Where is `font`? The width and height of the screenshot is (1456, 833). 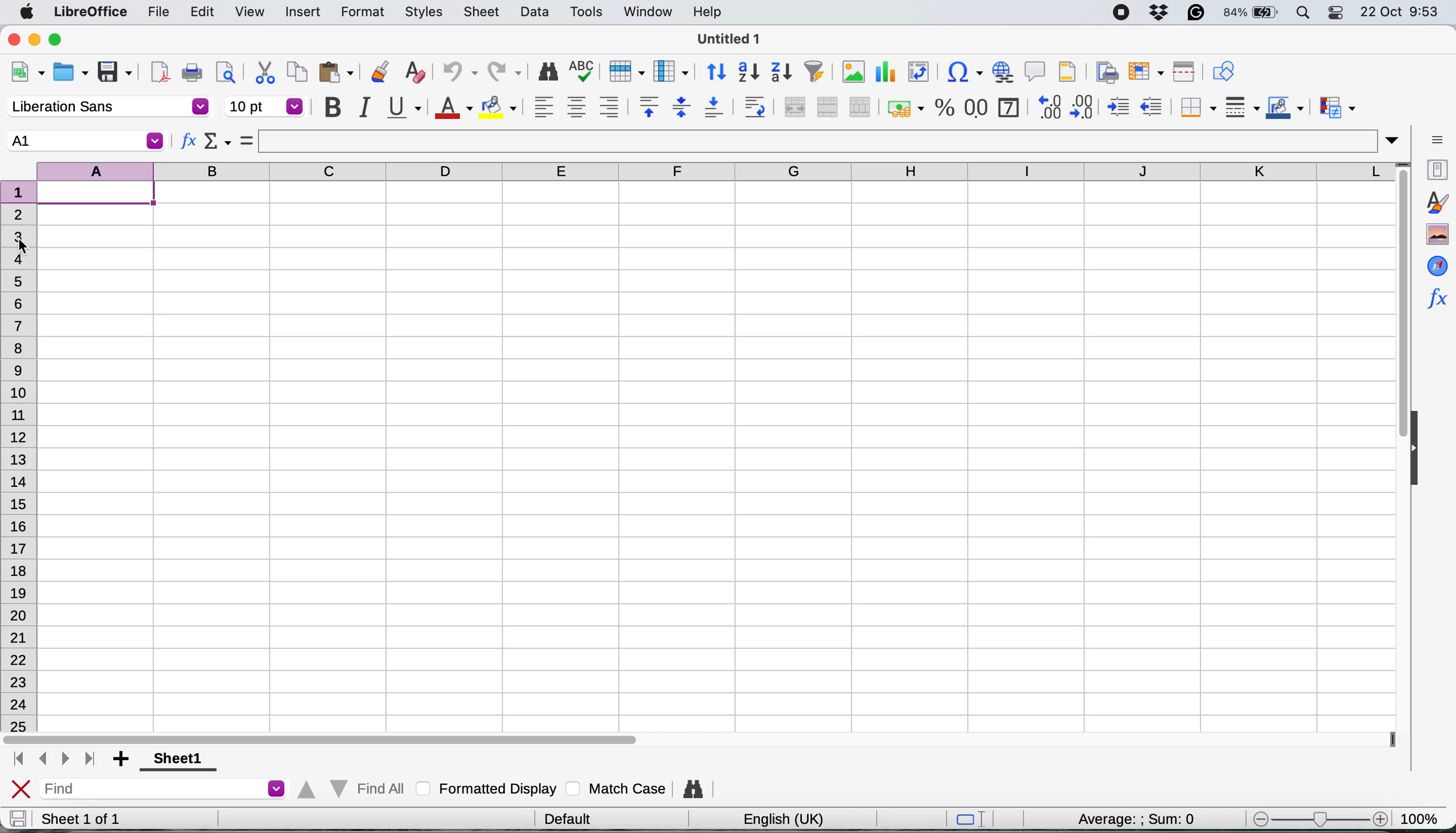 font is located at coordinates (108, 108).